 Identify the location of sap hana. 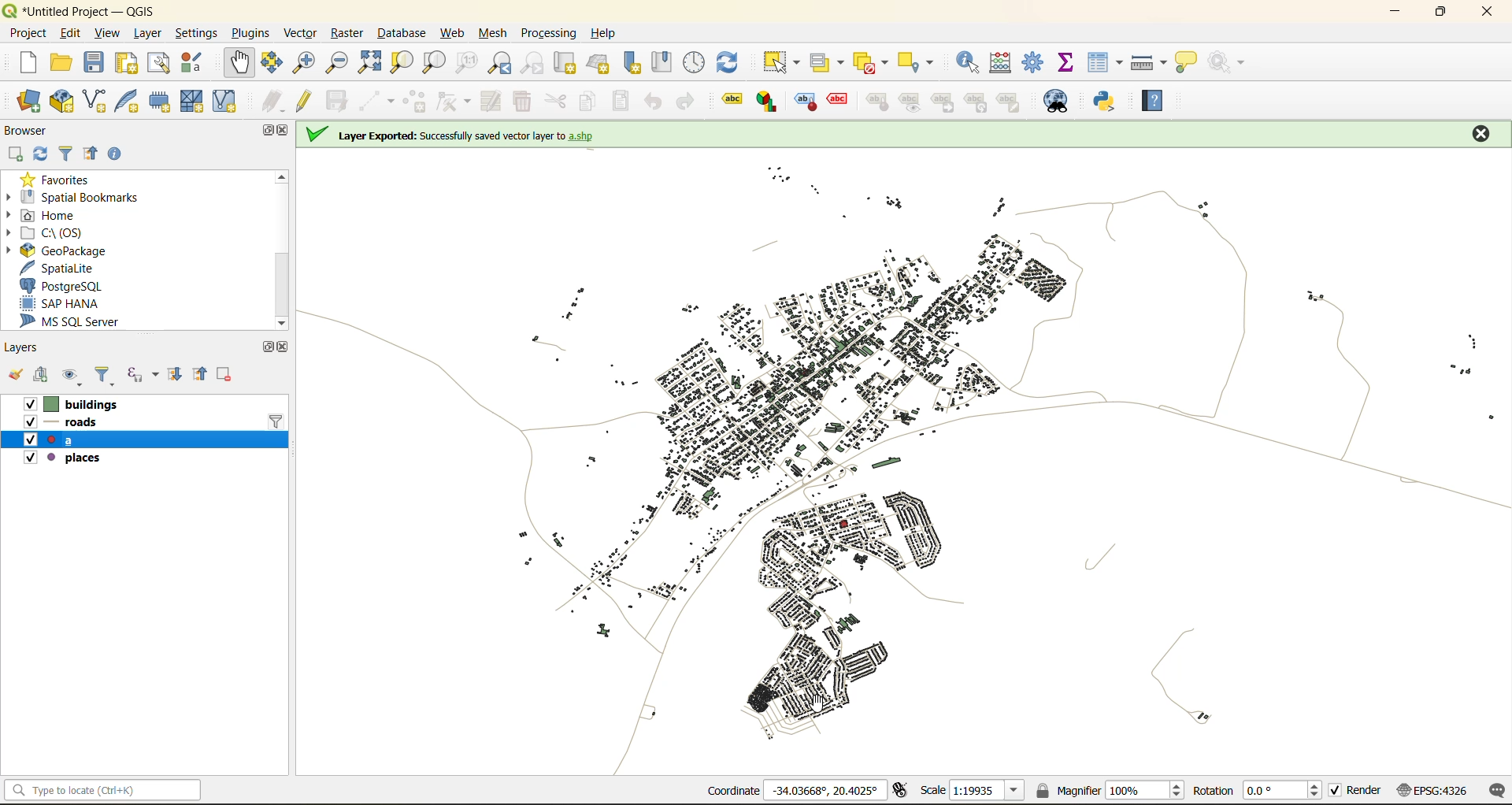
(65, 304).